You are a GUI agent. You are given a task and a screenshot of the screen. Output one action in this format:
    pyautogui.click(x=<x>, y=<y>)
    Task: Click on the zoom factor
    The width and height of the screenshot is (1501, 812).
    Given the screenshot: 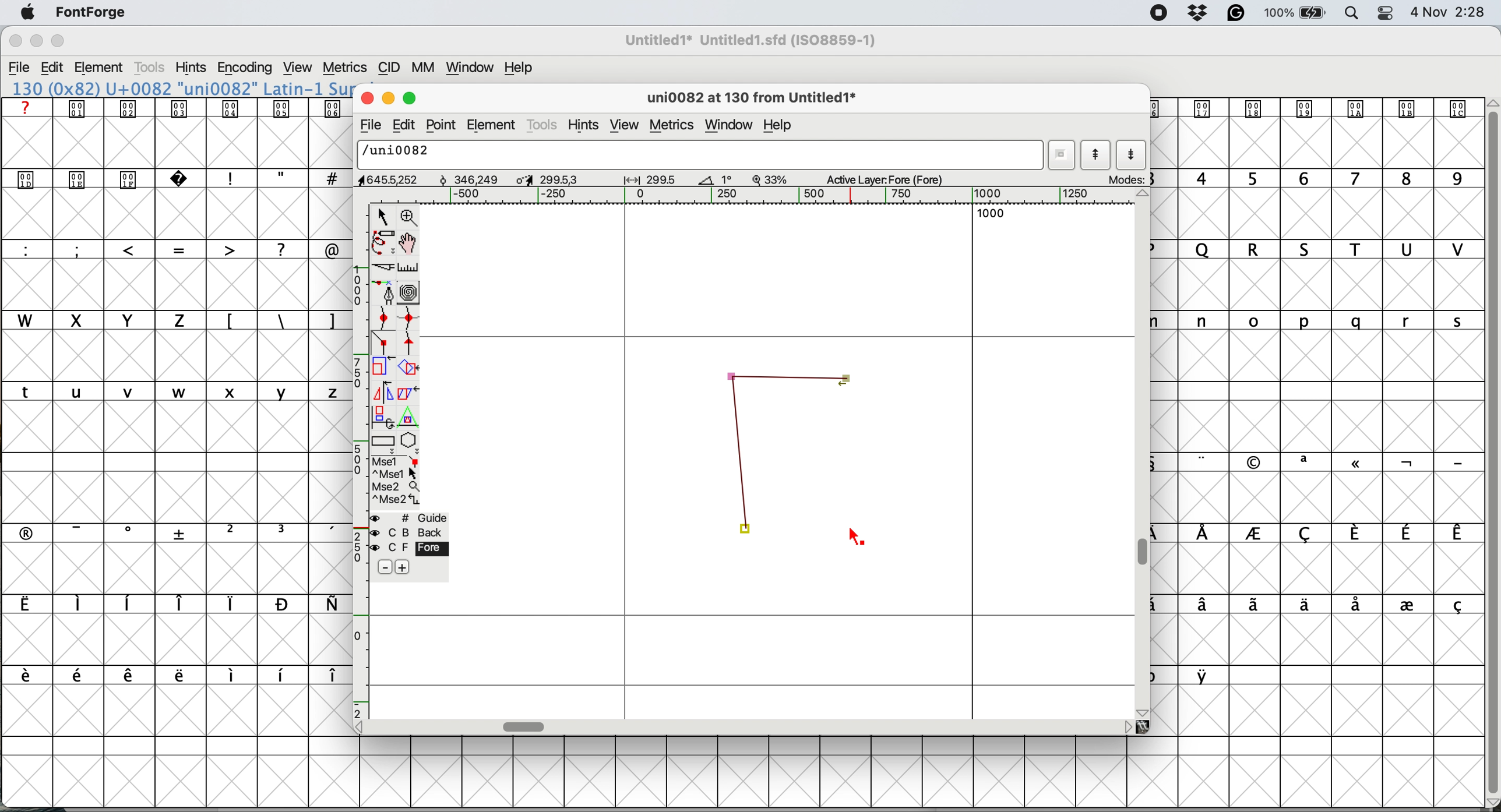 What is the action you would take?
    pyautogui.click(x=770, y=179)
    